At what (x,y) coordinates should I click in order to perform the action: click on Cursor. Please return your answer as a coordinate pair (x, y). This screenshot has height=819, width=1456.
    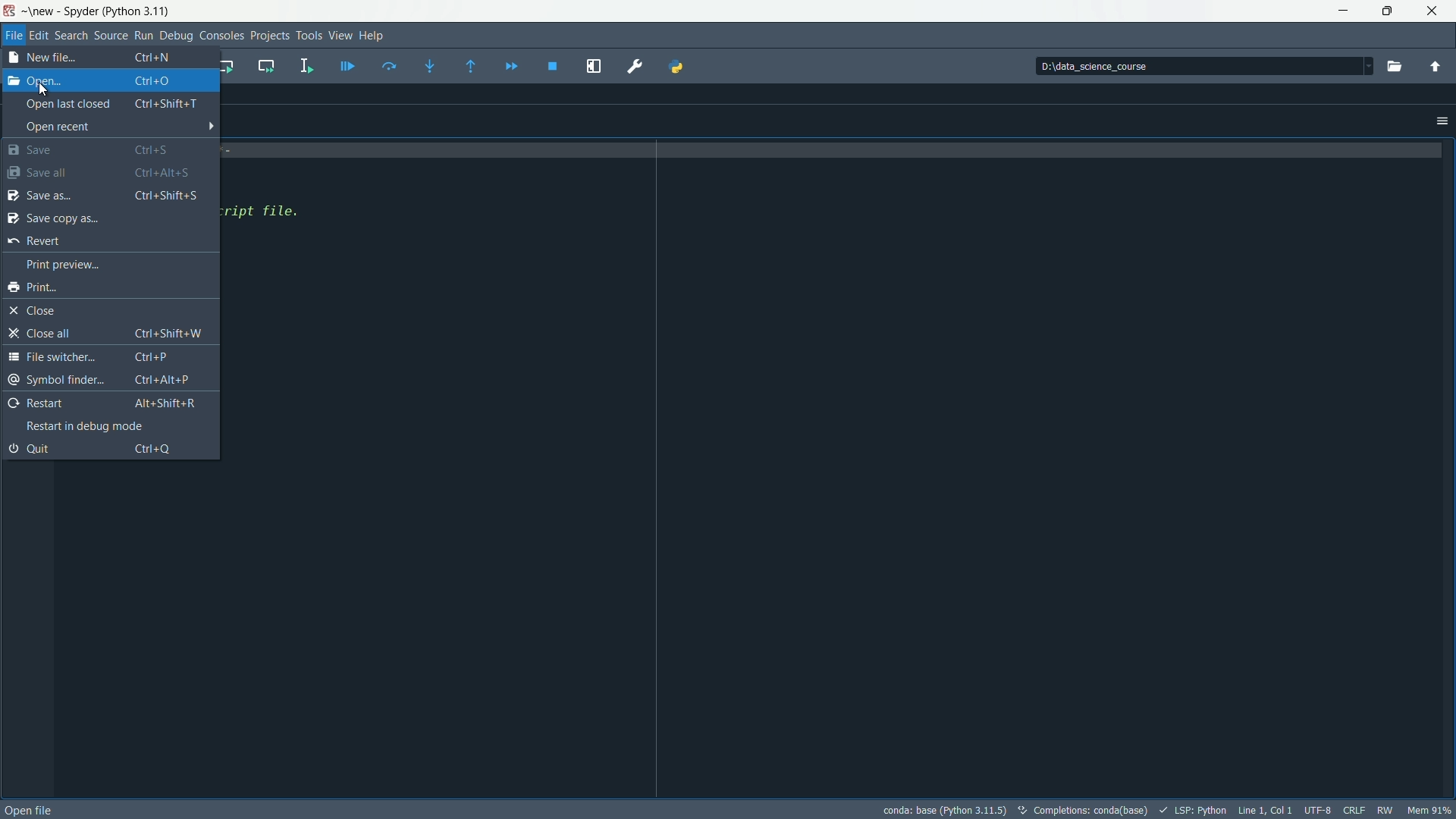
    Looking at the image, I should click on (42, 86).